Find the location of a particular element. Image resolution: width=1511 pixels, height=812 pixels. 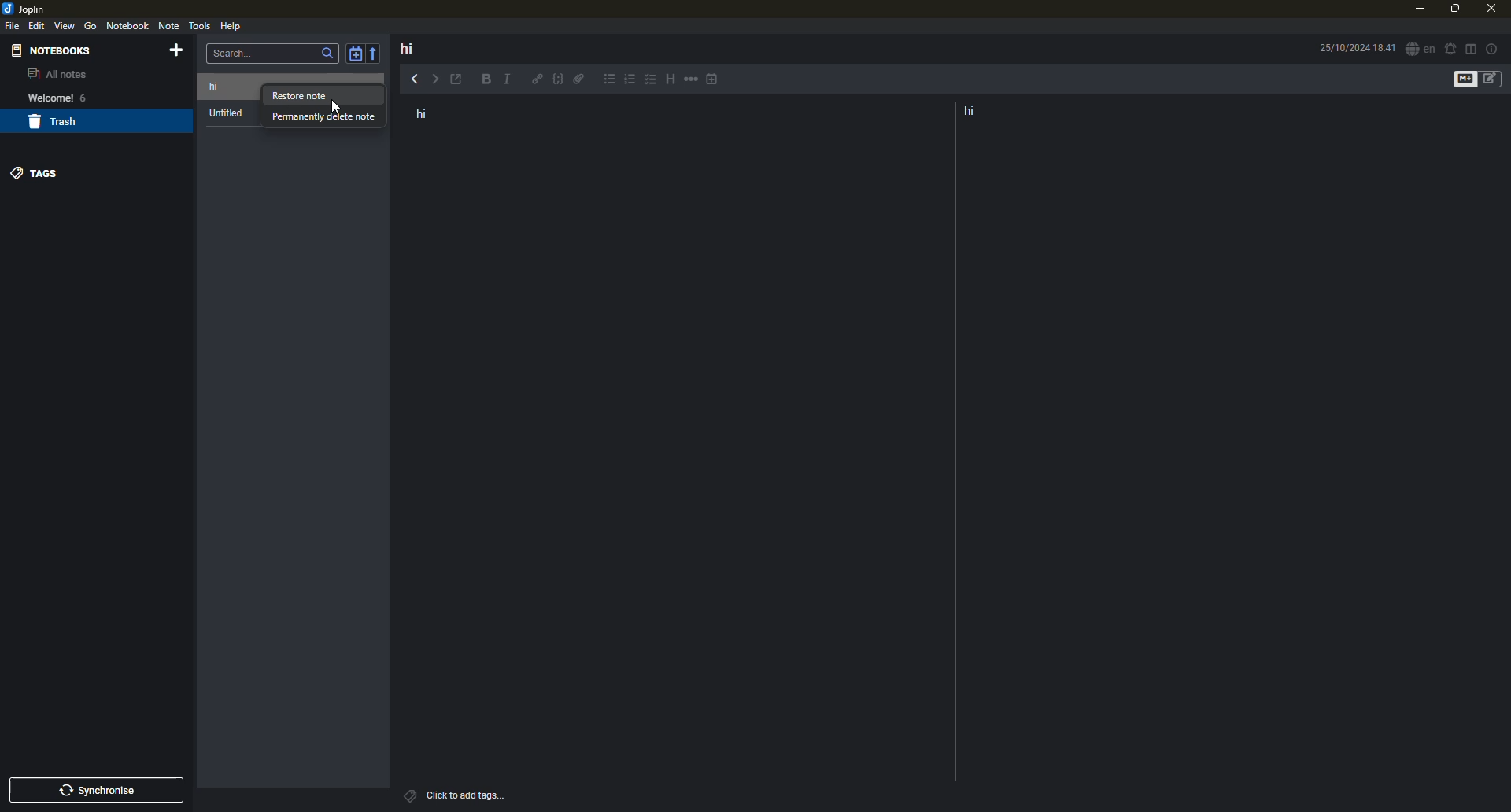

untitled is located at coordinates (229, 114).